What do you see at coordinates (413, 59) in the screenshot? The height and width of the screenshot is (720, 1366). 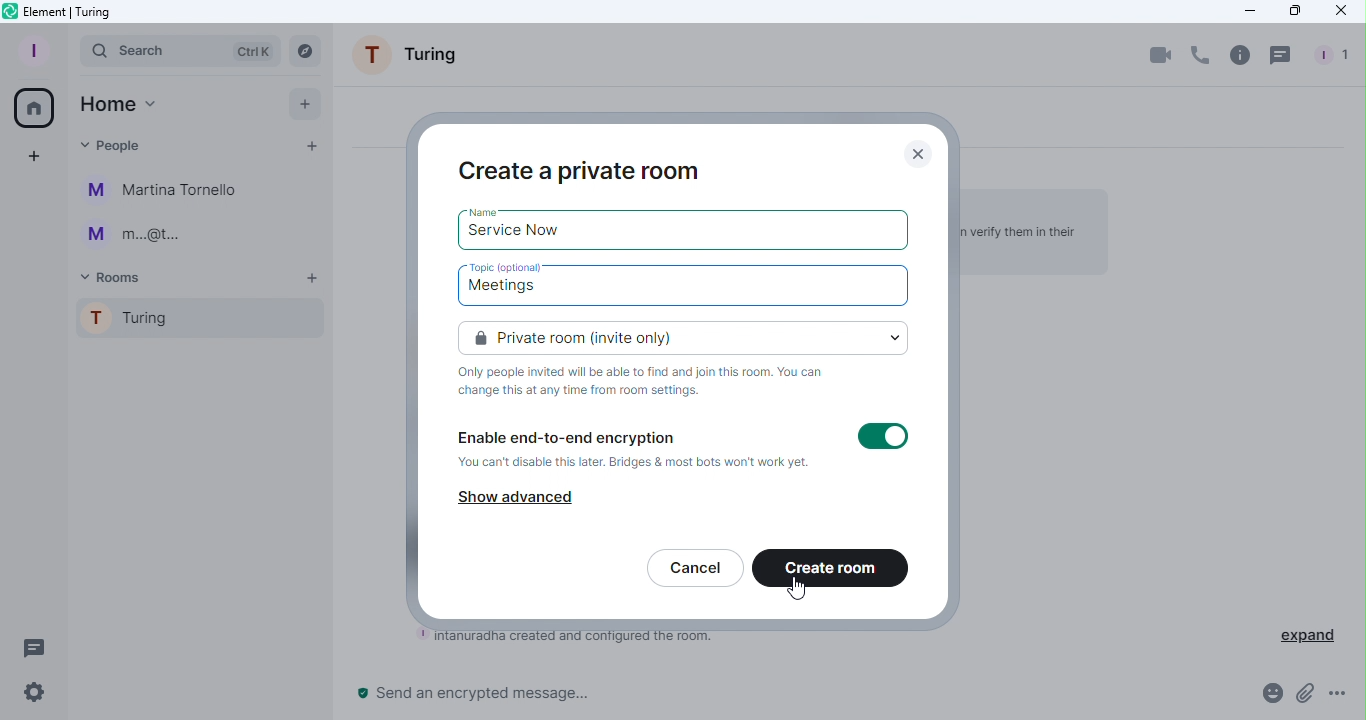 I see `Room name` at bounding box center [413, 59].